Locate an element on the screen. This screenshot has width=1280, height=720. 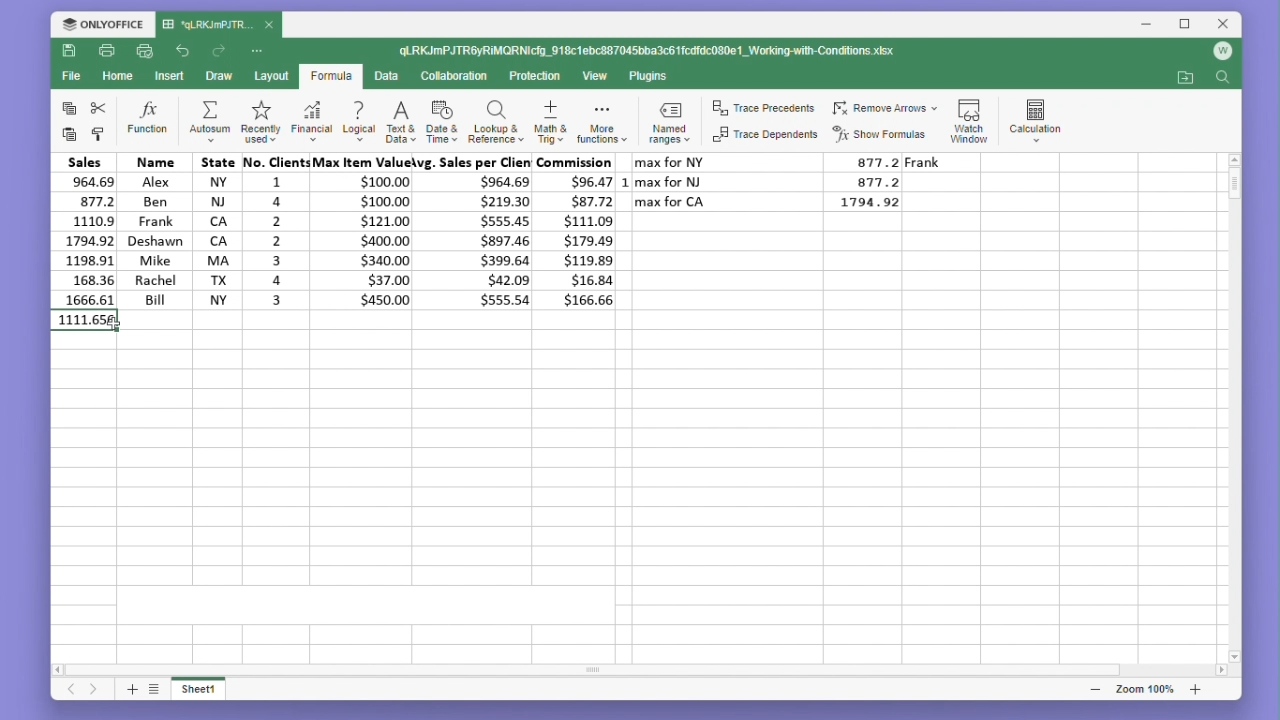
Date and time is located at coordinates (441, 119).